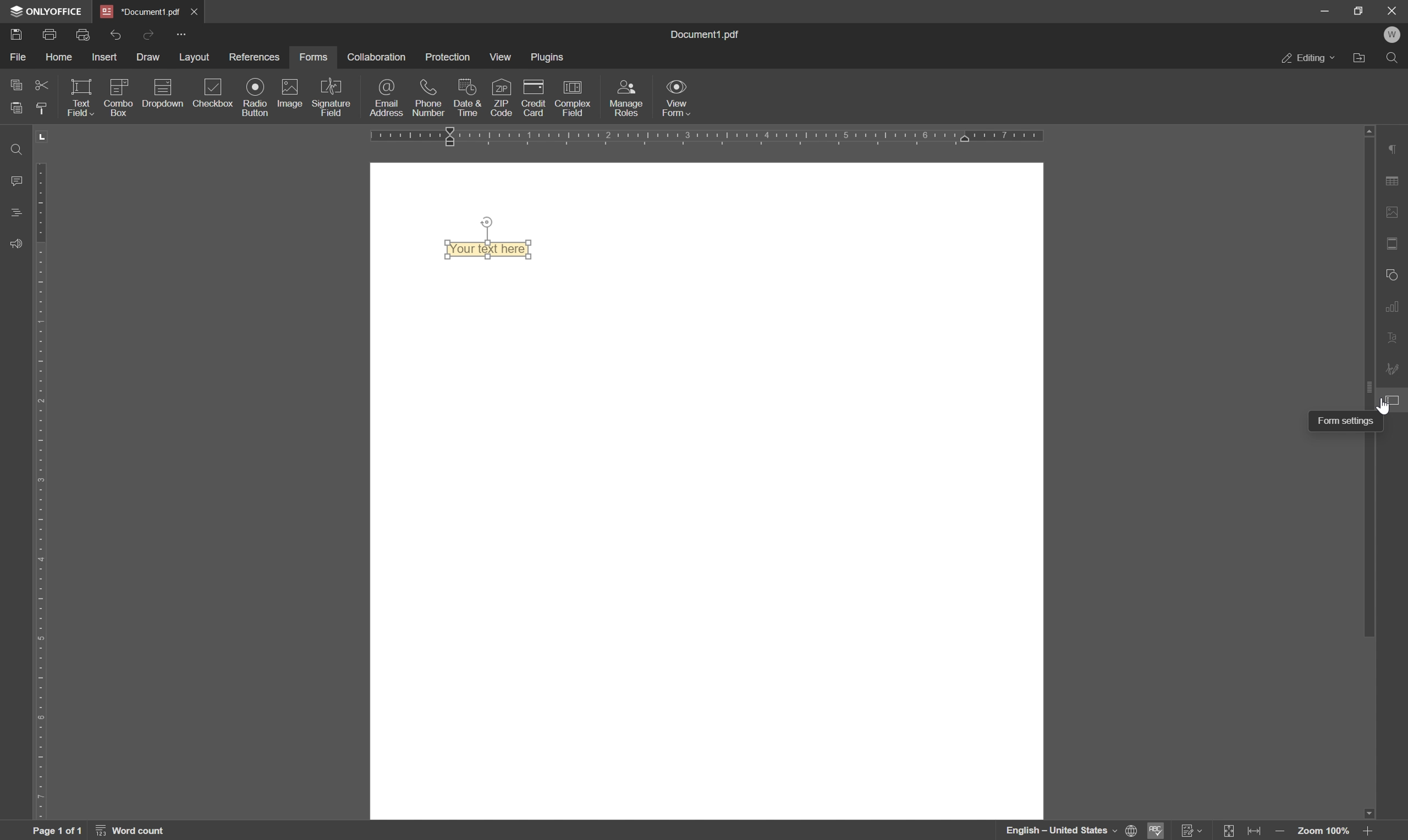 This screenshot has width=1408, height=840. I want to click on table settings, so click(1395, 180).